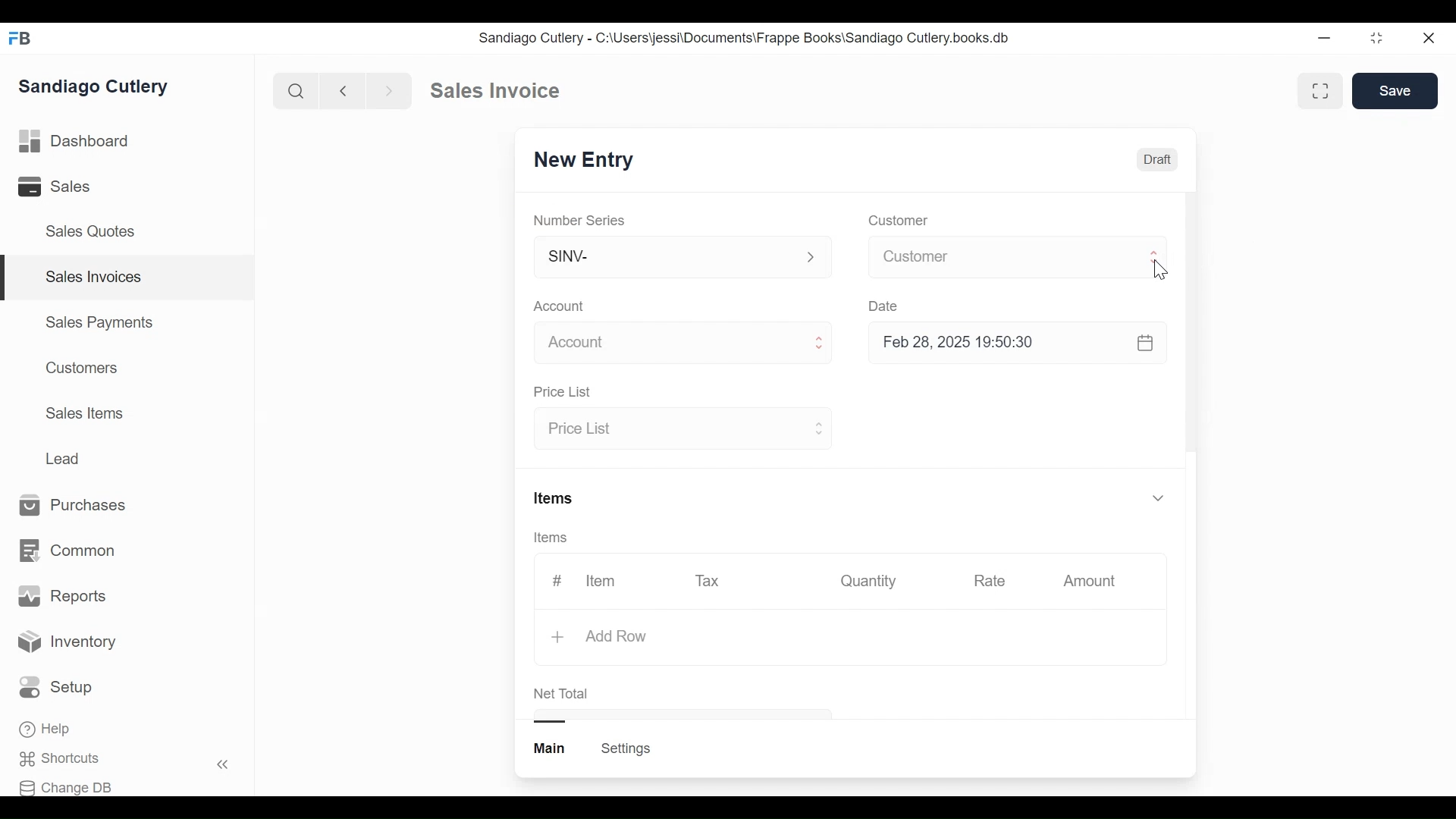 The height and width of the screenshot is (819, 1456). I want to click on Common, so click(70, 551).